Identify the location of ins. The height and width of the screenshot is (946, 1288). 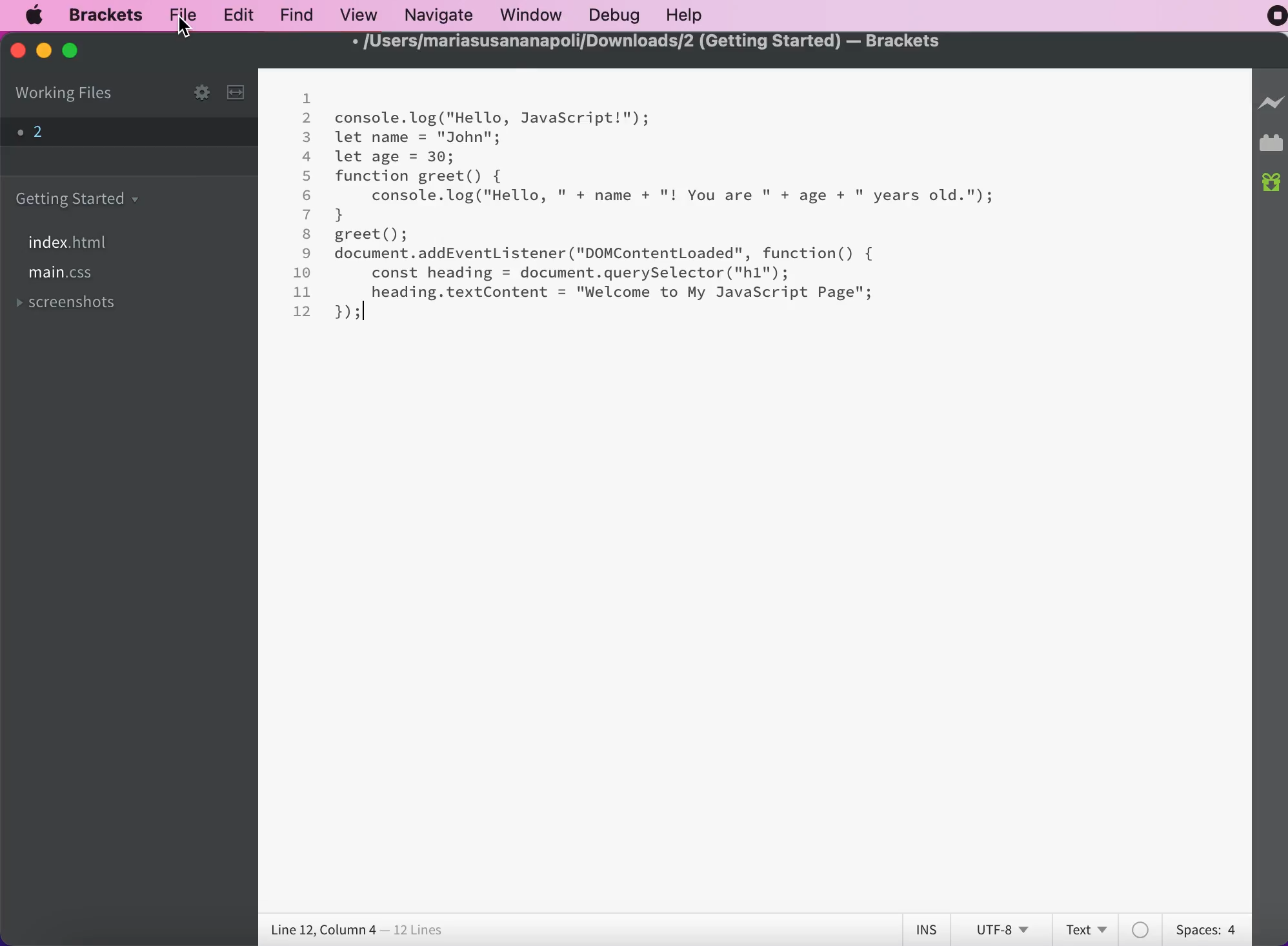
(928, 930).